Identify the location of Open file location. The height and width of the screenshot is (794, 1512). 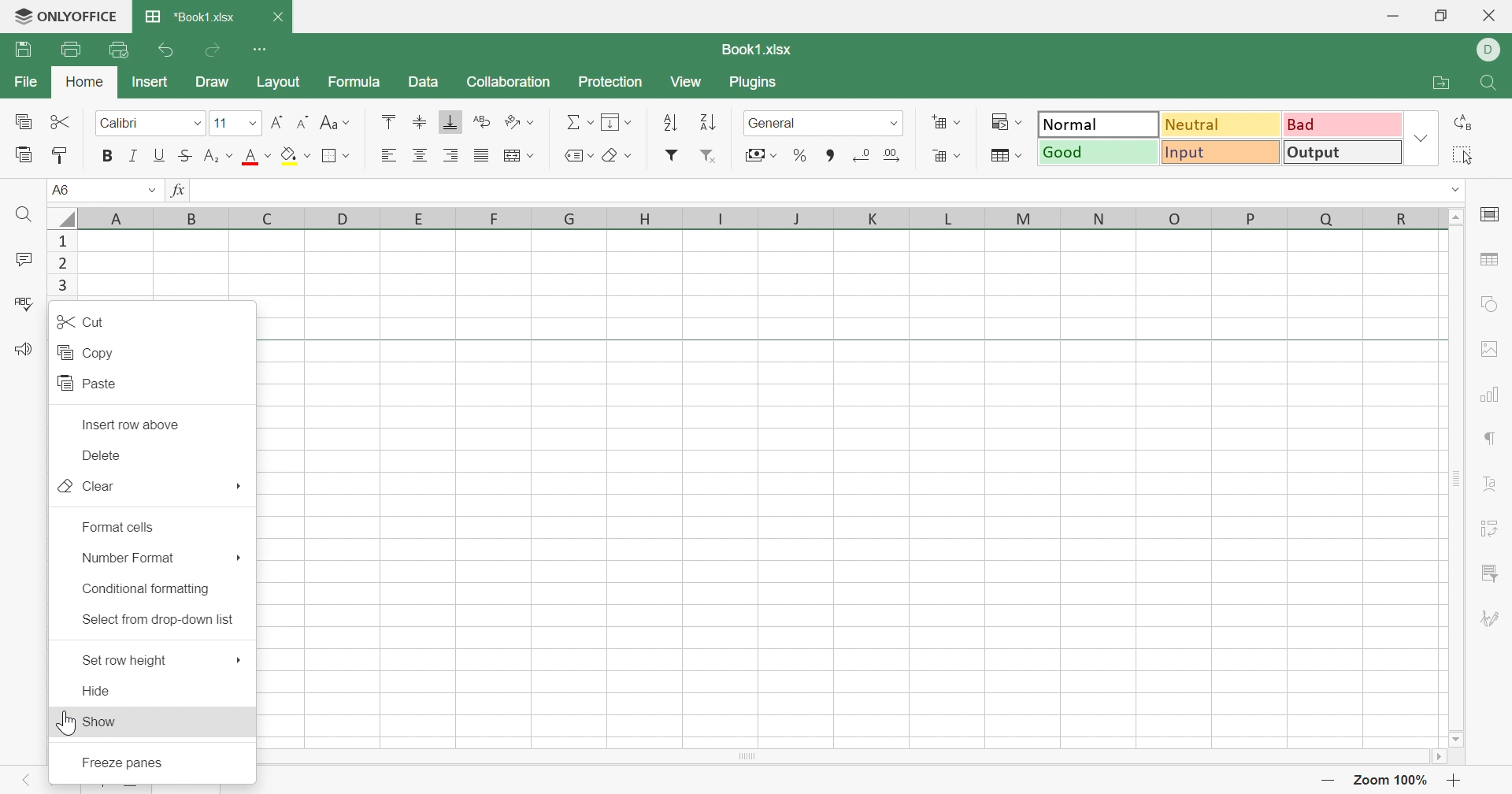
(1440, 84).